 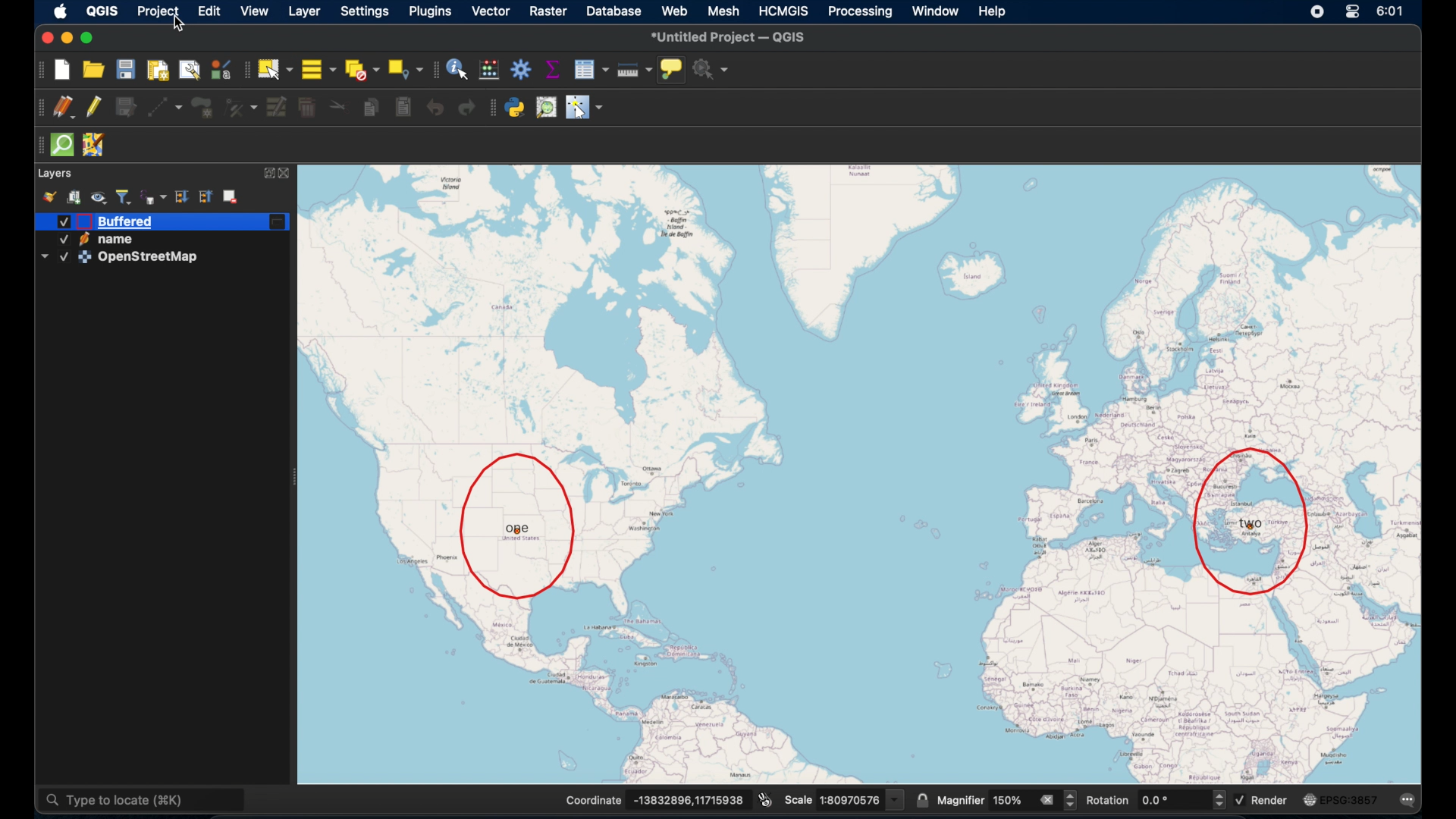 I want to click on show map tips, so click(x=673, y=69).